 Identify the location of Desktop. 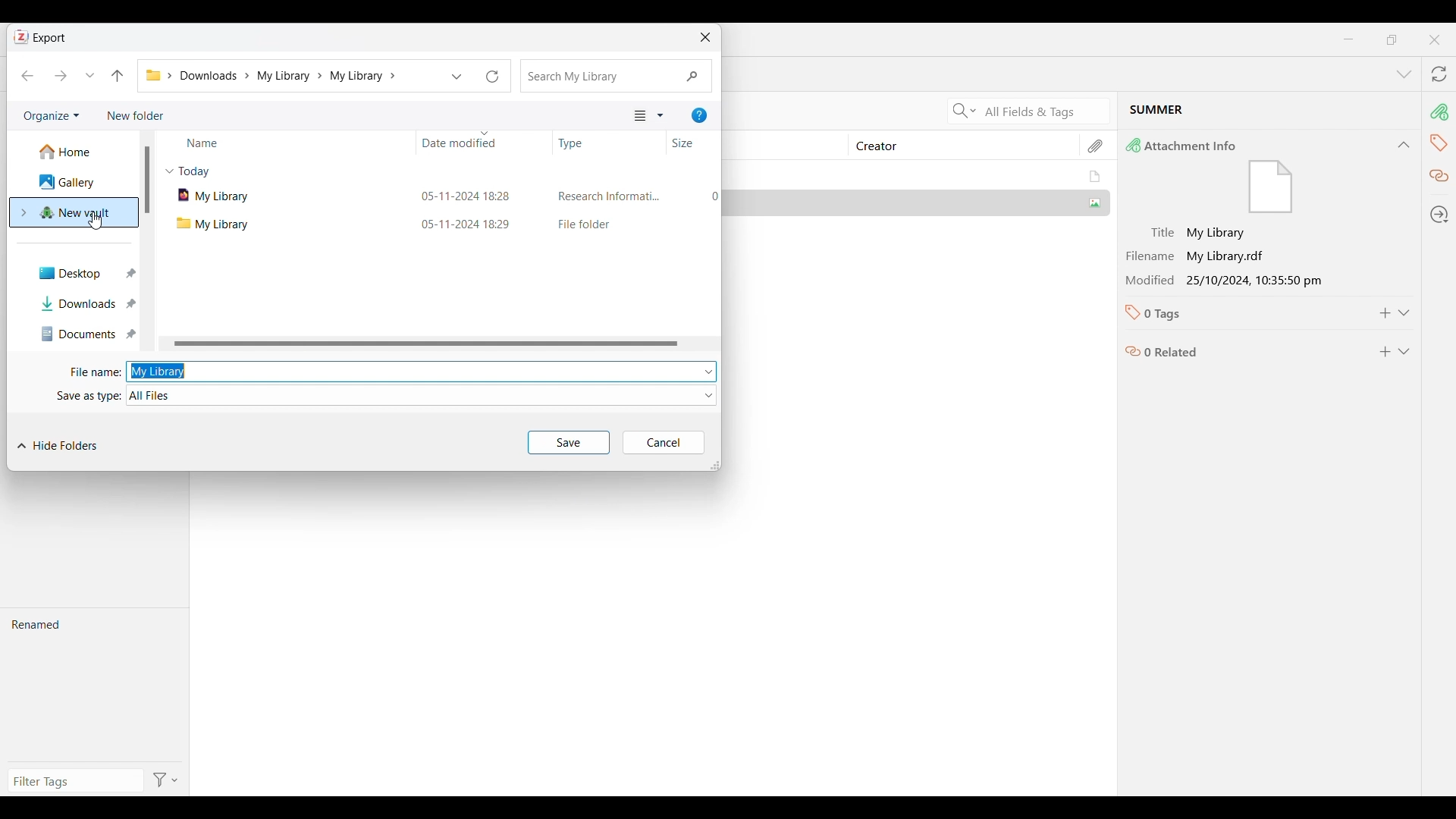
(80, 272).